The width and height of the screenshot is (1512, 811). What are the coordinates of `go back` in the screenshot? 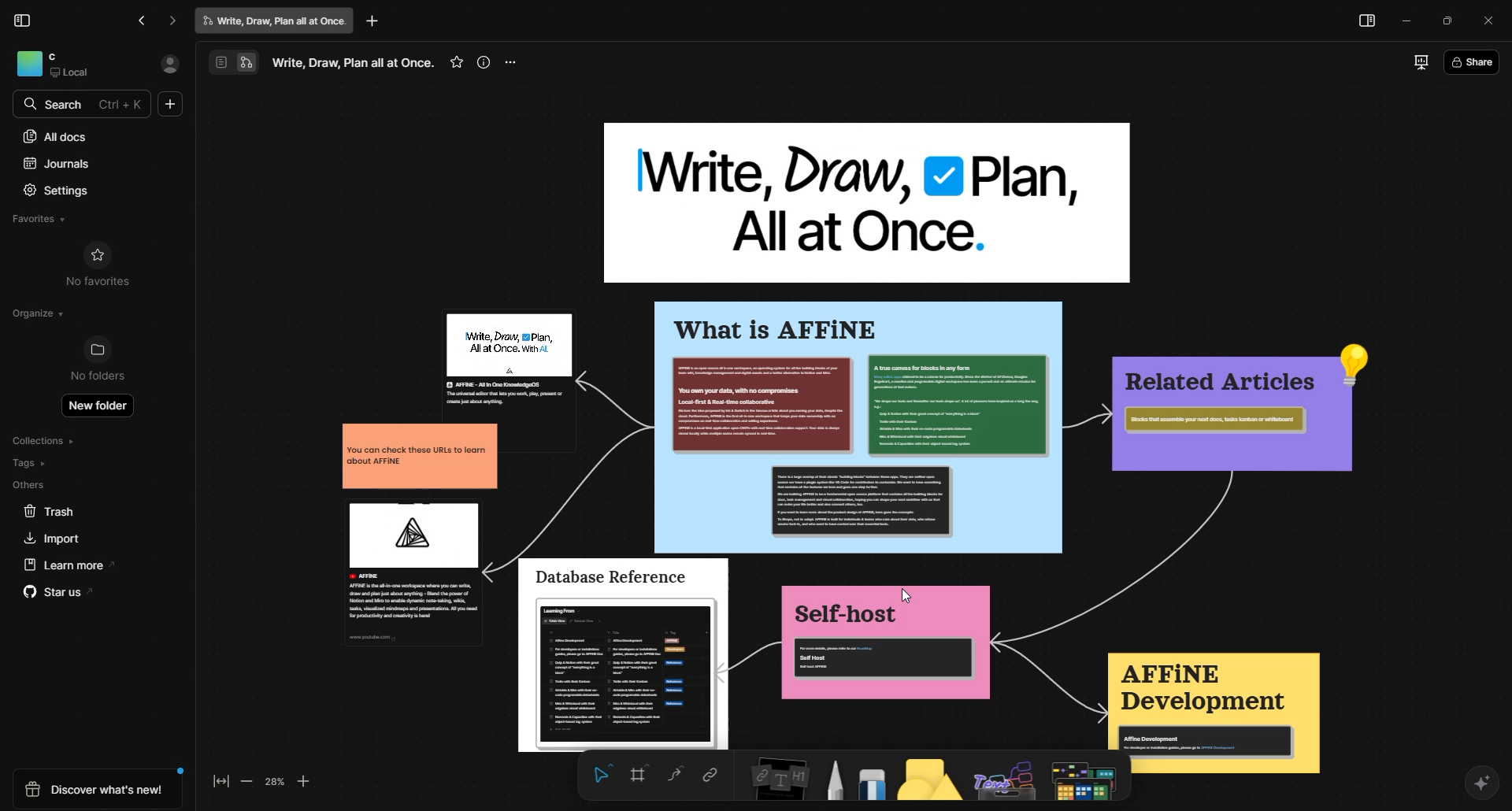 It's located at (144, 20).